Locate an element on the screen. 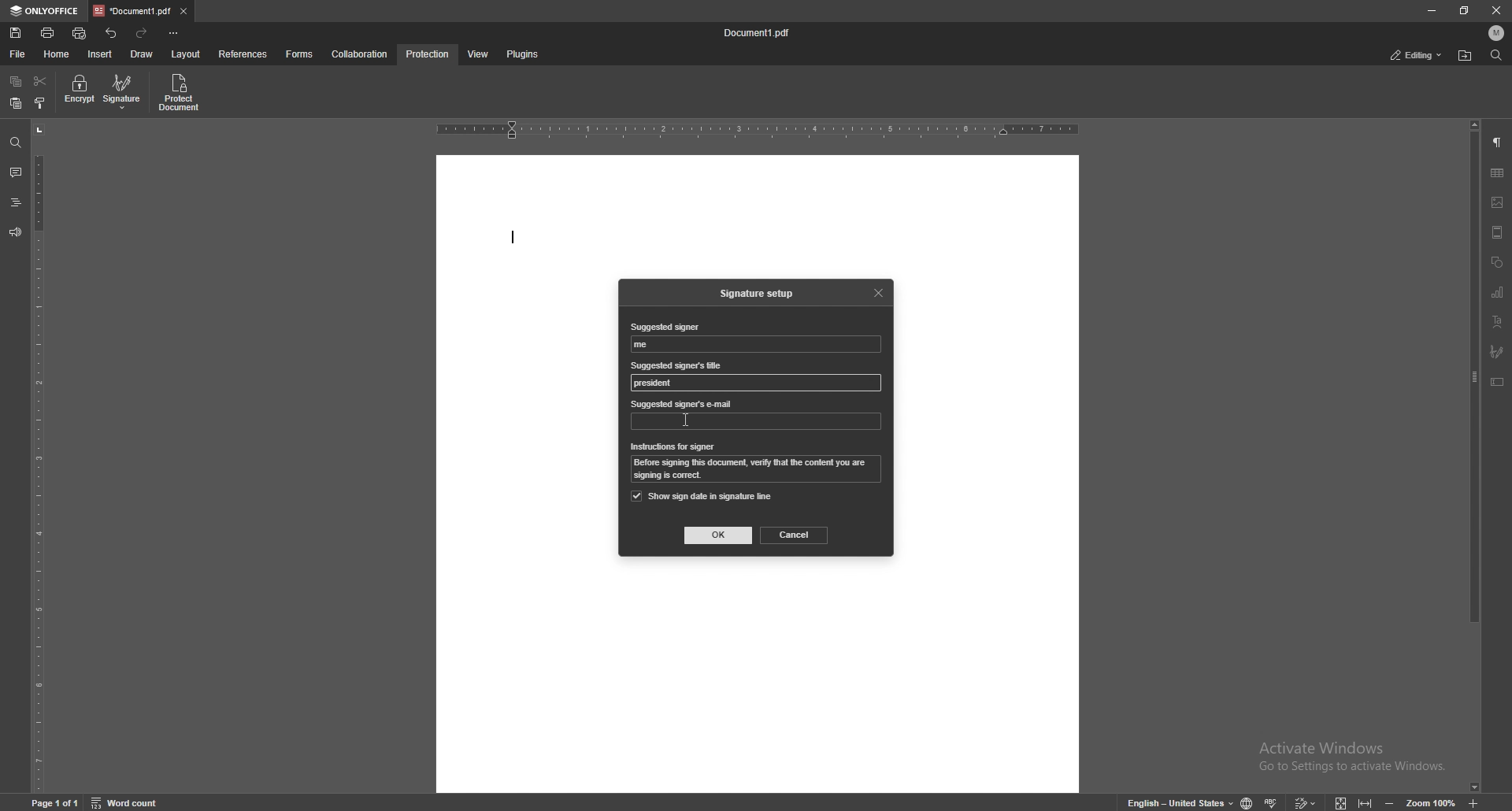 The image size is (1512, 811). zoom is located at coordinates (1420, 802).